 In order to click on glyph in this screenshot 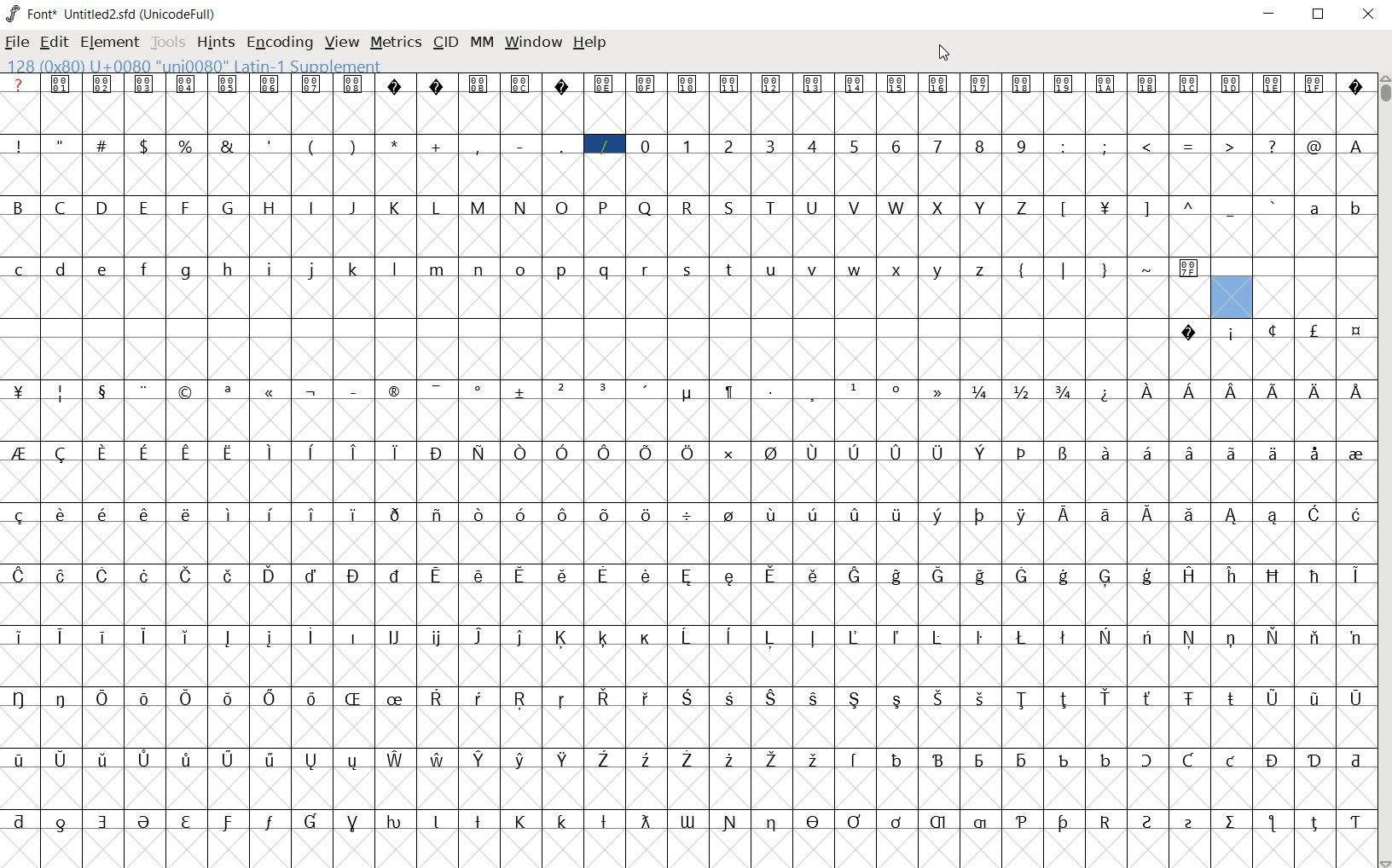, I will do `click(855, 453)`.